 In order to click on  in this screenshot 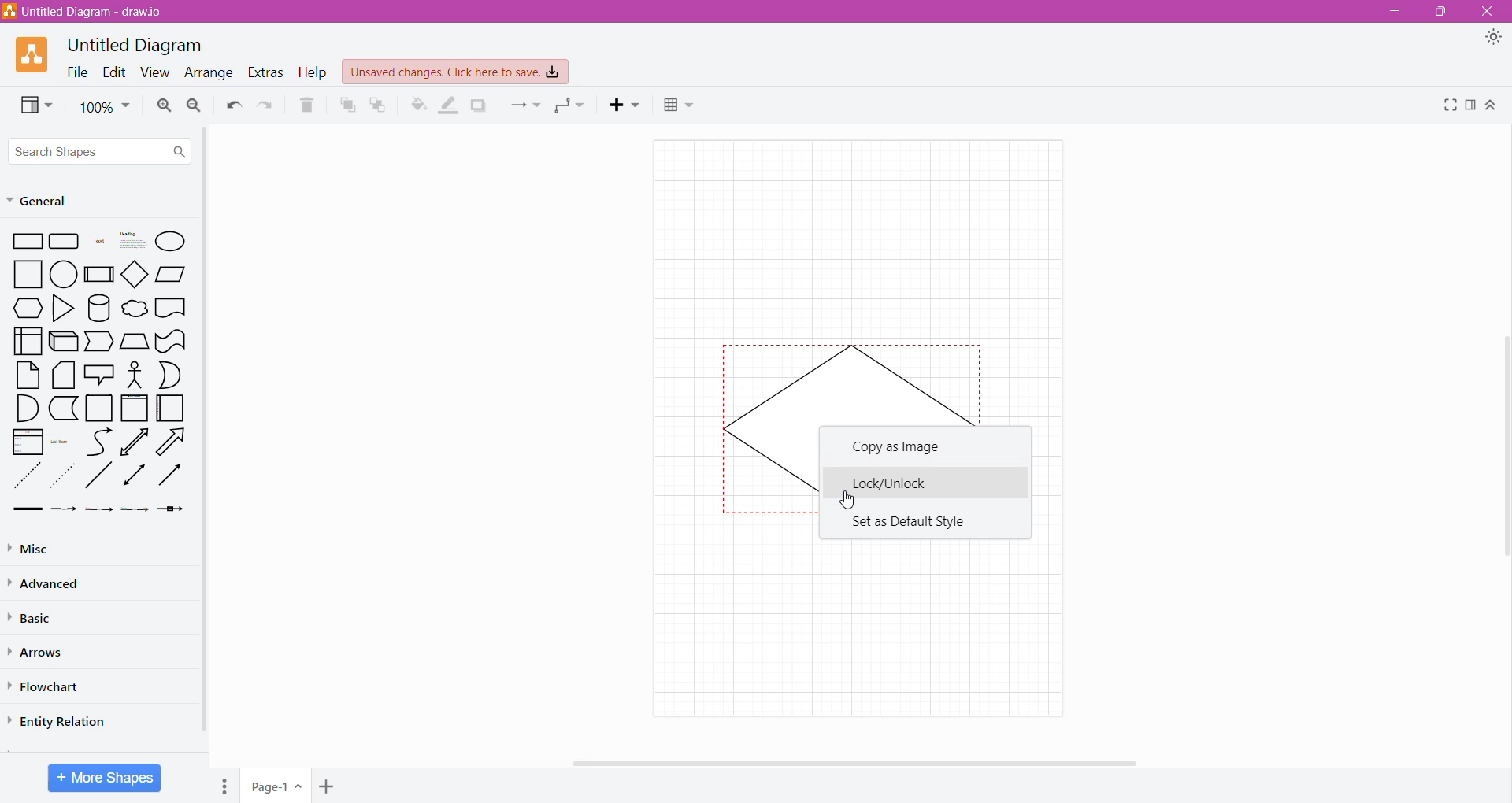, I will do `click(276, 786)`.